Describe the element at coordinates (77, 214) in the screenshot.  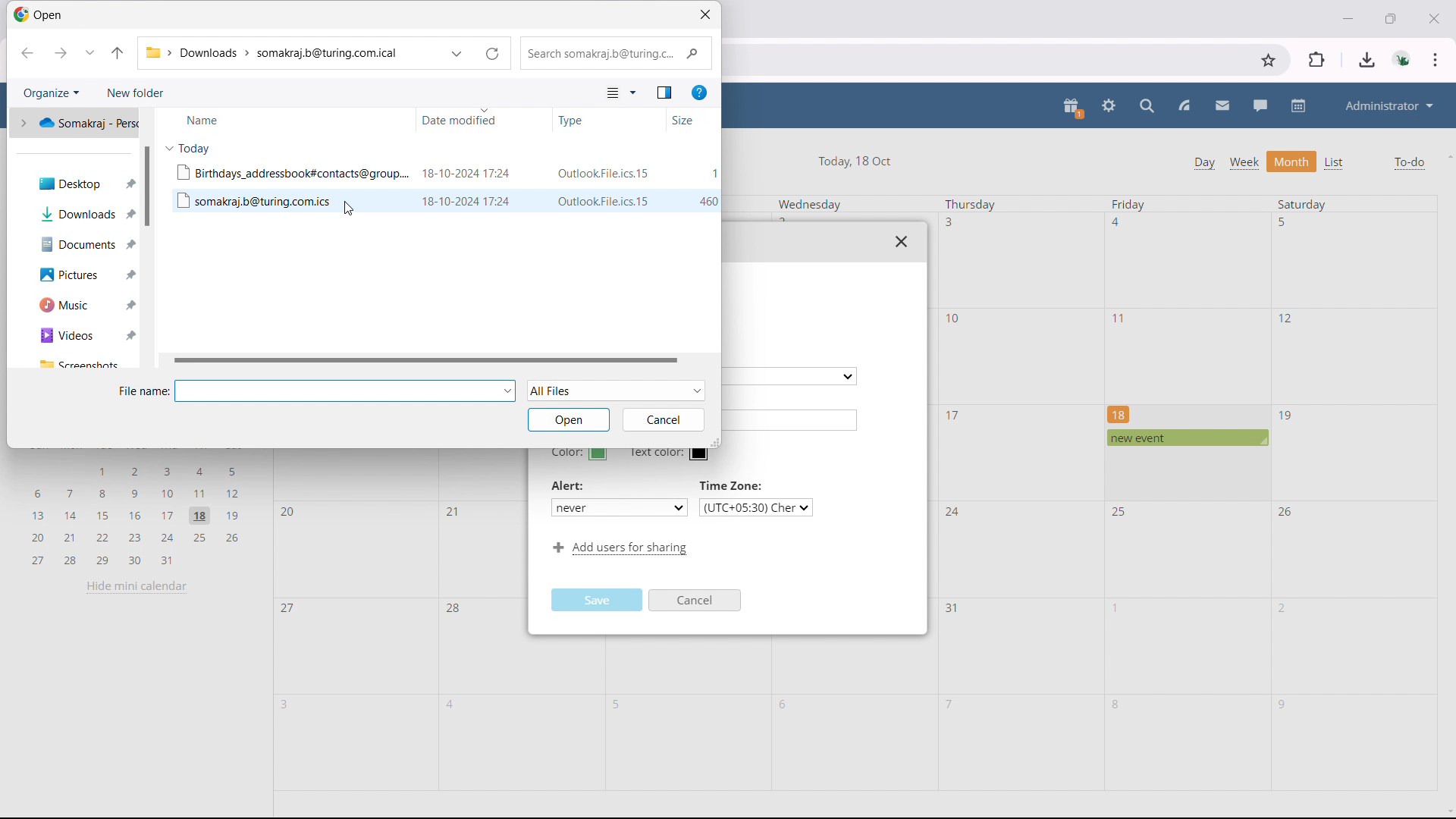
I see `Downloads` at that location.